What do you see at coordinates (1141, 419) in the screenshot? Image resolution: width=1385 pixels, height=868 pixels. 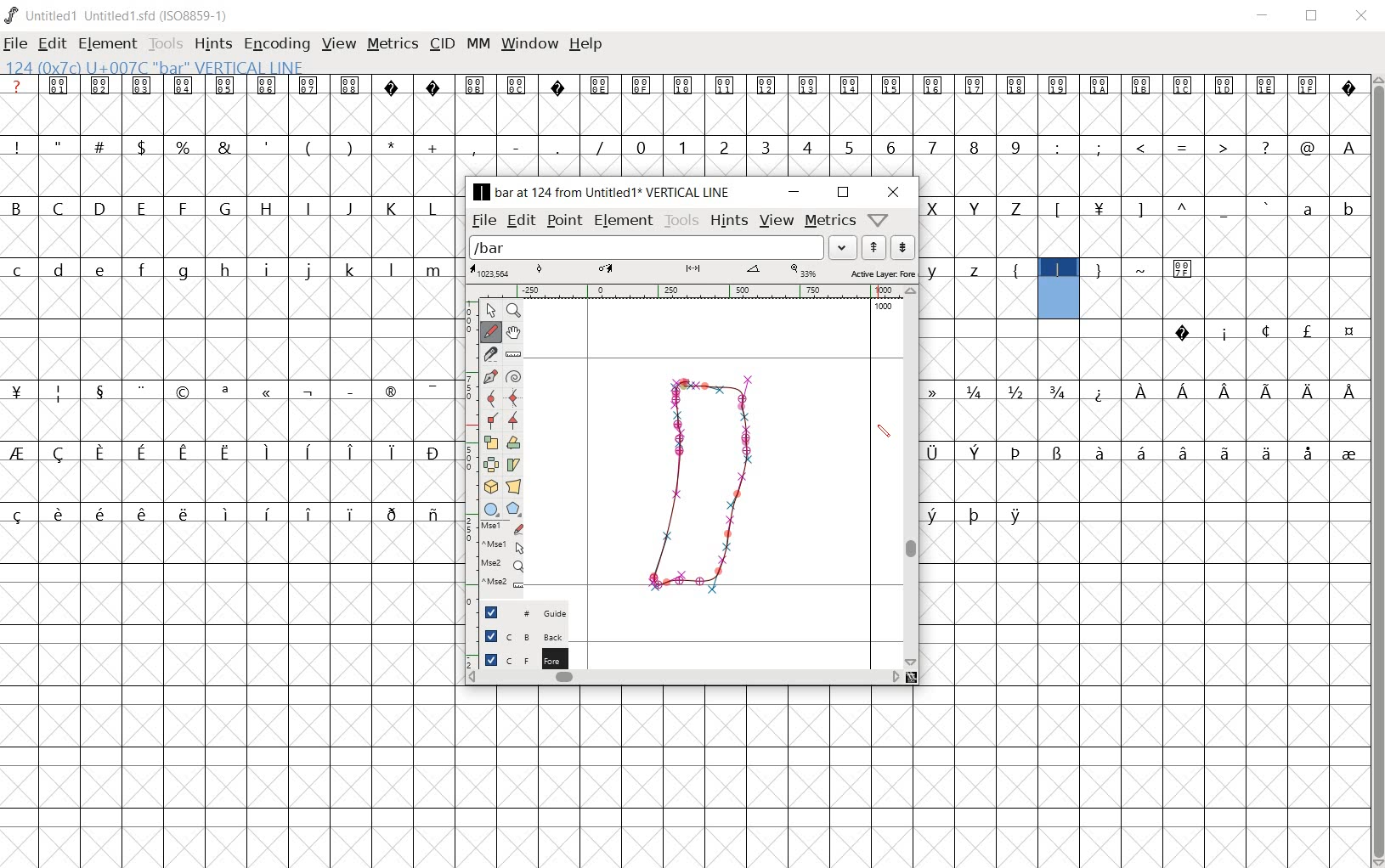 I see `empty cells` at bounding box center [1141, 419].